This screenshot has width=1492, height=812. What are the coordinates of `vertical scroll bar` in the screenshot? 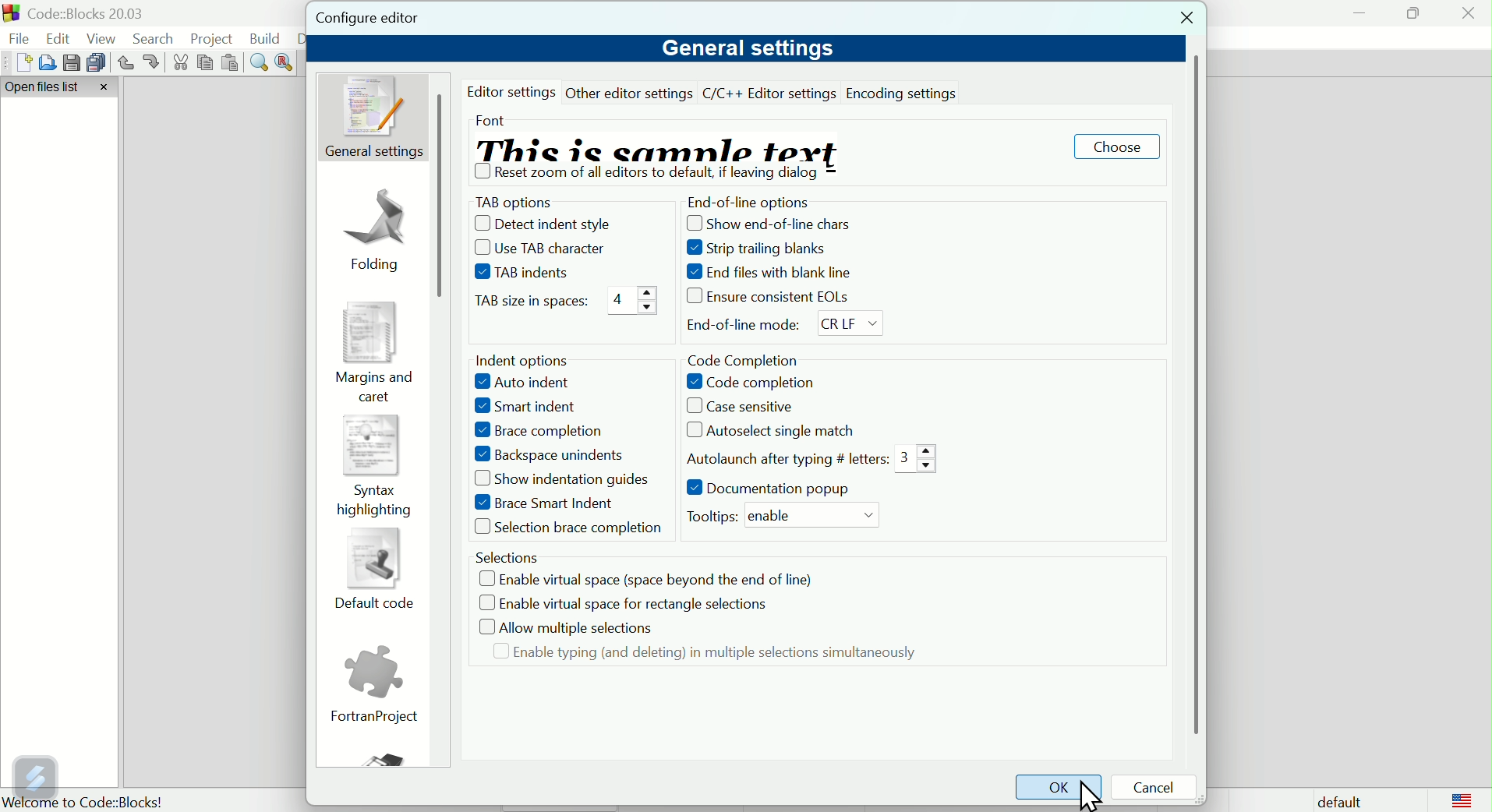 It's located at (444, 199).